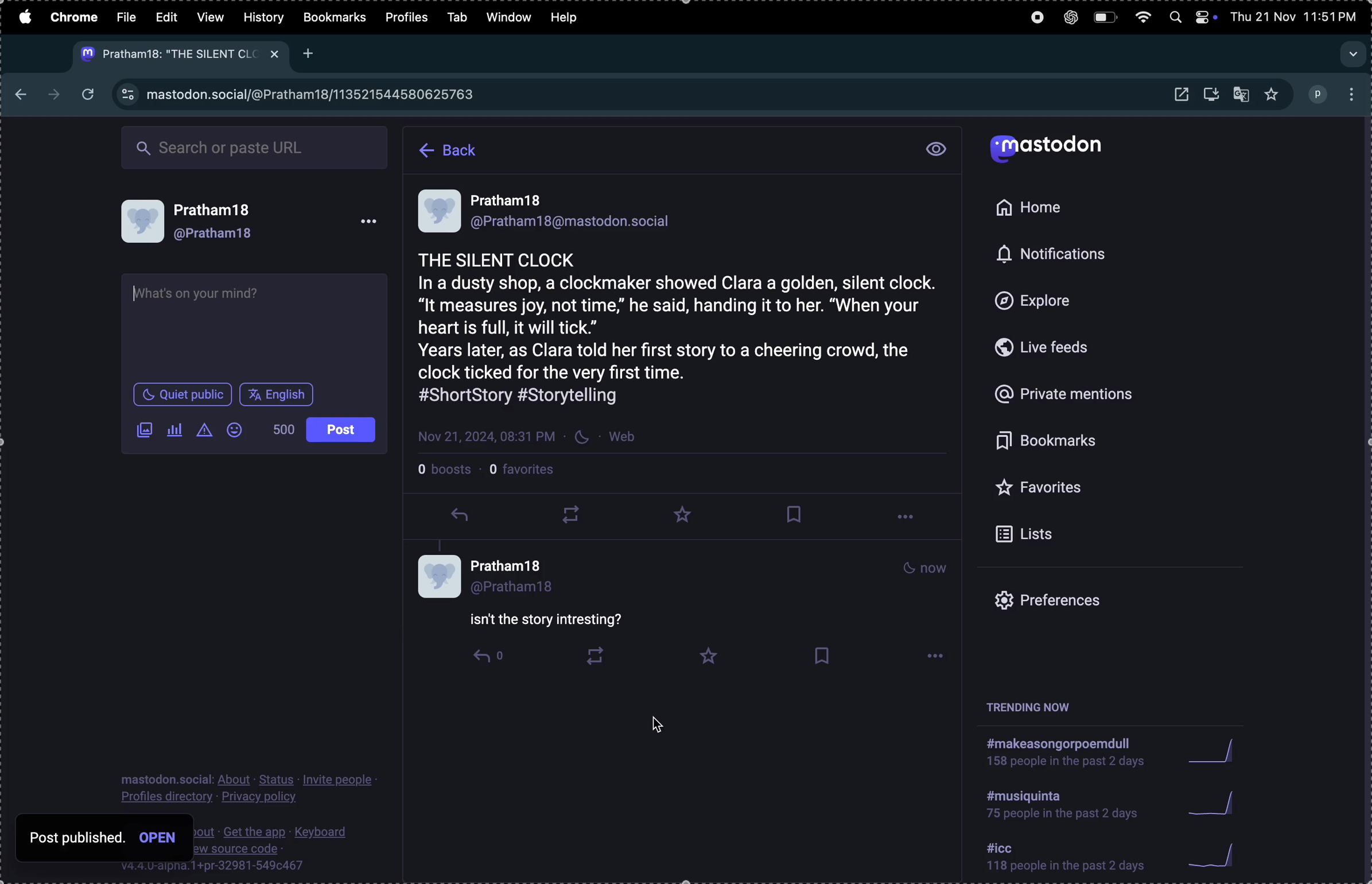  I want to click on download, so click(1214, 96).